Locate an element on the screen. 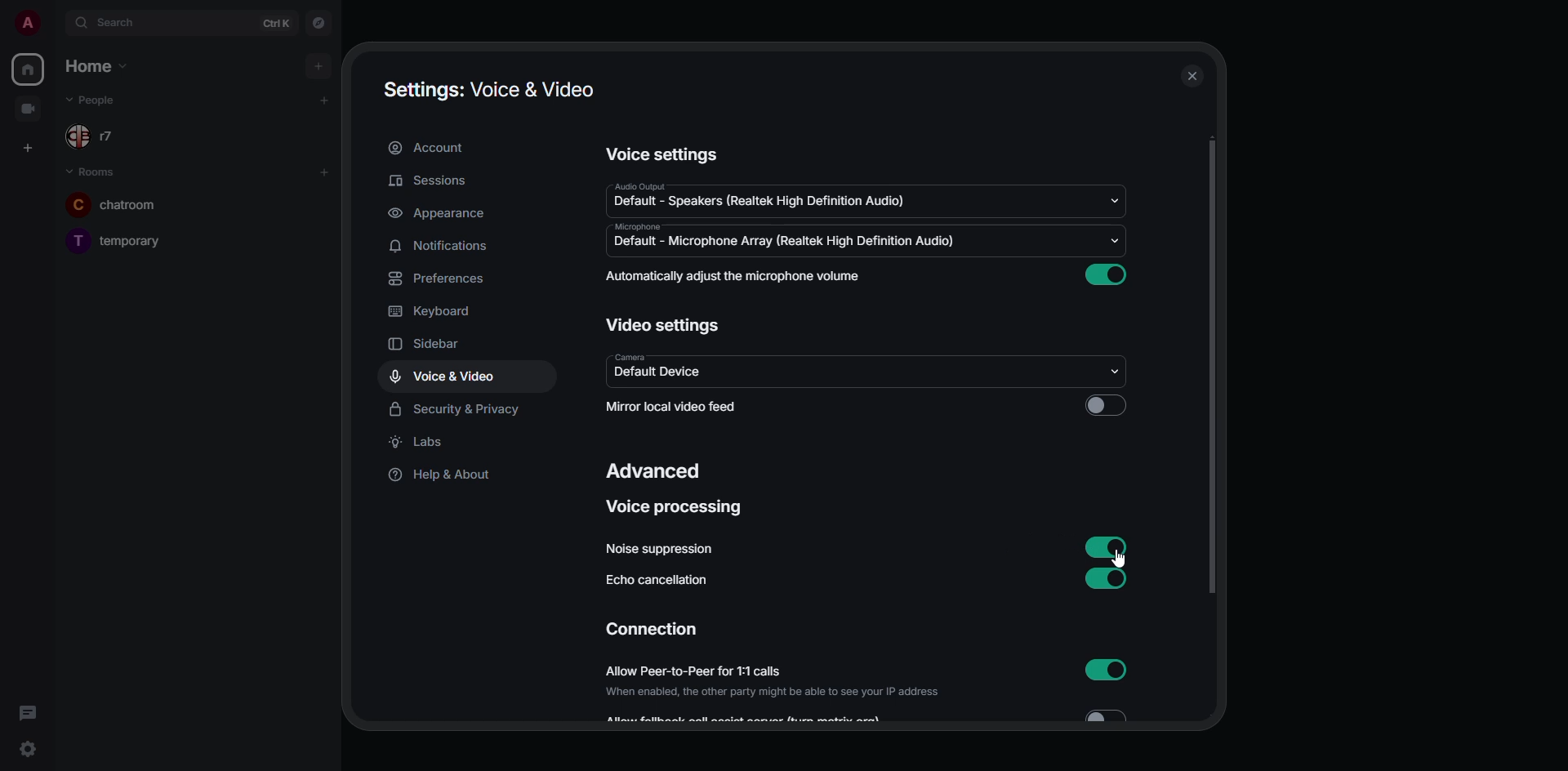 Image resolution: width=1568 pixels, height=771 pixels. scroll bar is located at coordinates (1212, 368).